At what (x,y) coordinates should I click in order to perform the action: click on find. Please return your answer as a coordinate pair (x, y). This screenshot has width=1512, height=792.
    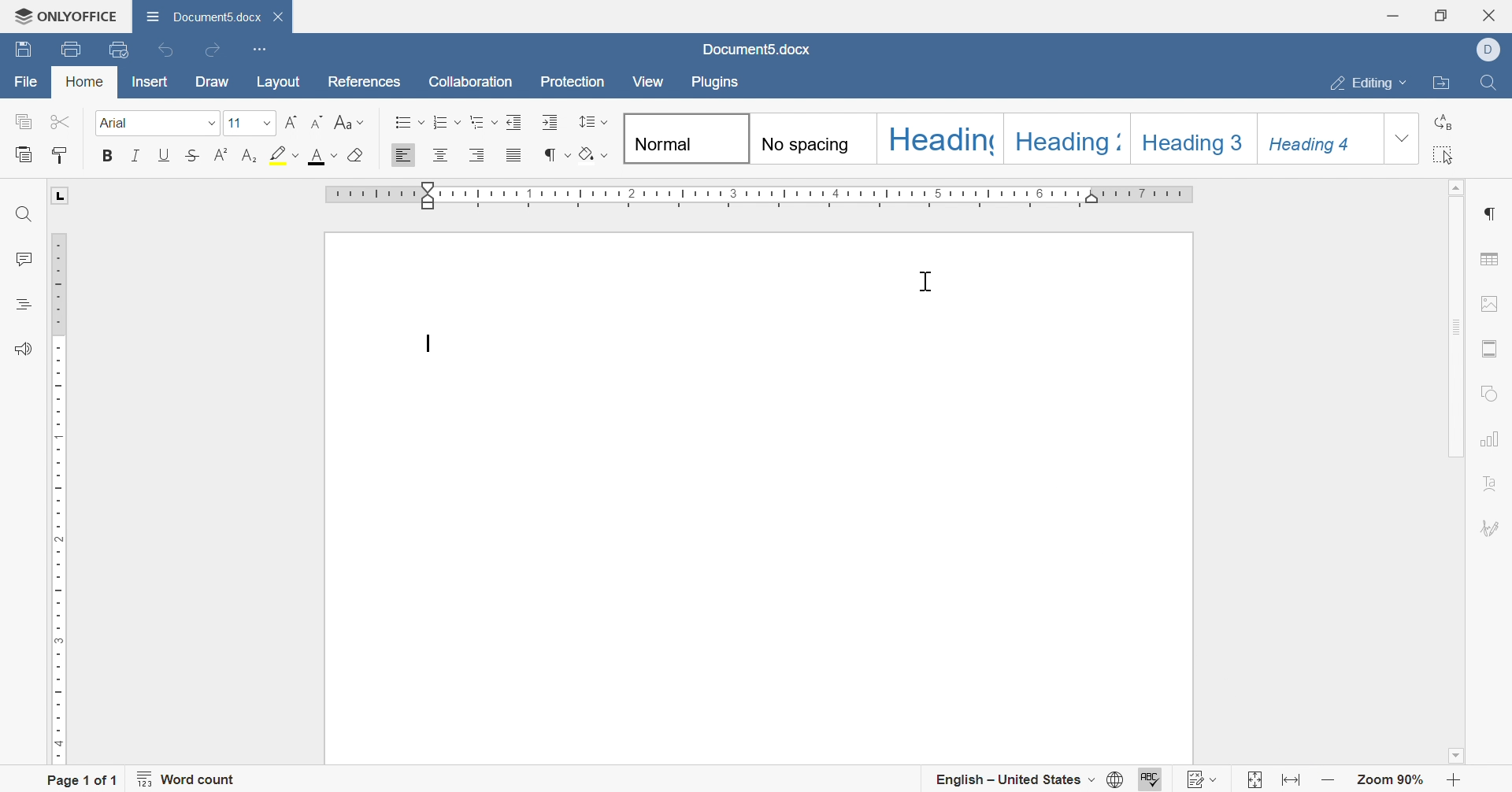
    Looking at the image, I should click on (1492, 83).